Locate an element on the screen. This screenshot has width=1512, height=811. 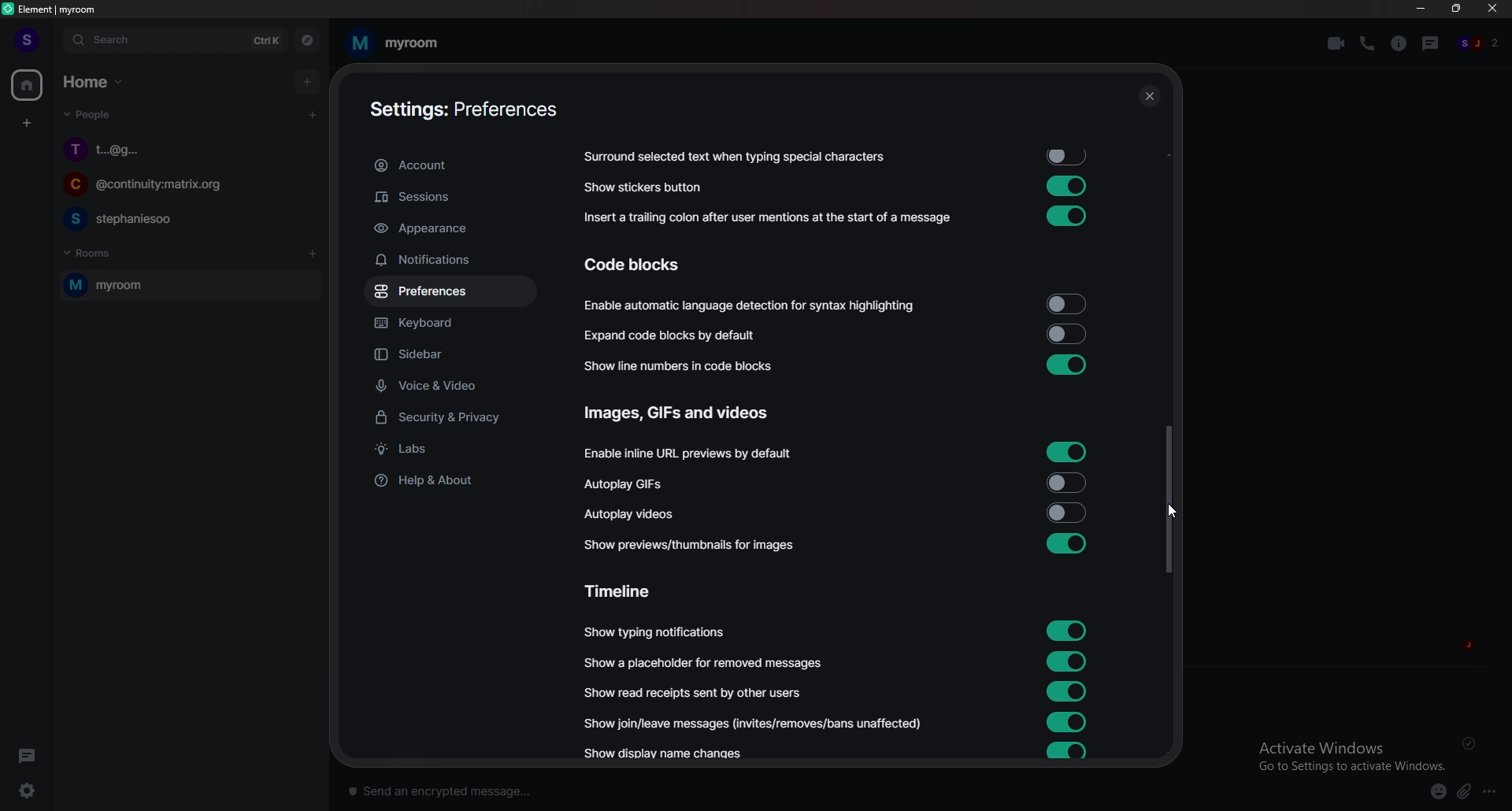
people is located at coordinates (1480, 44).